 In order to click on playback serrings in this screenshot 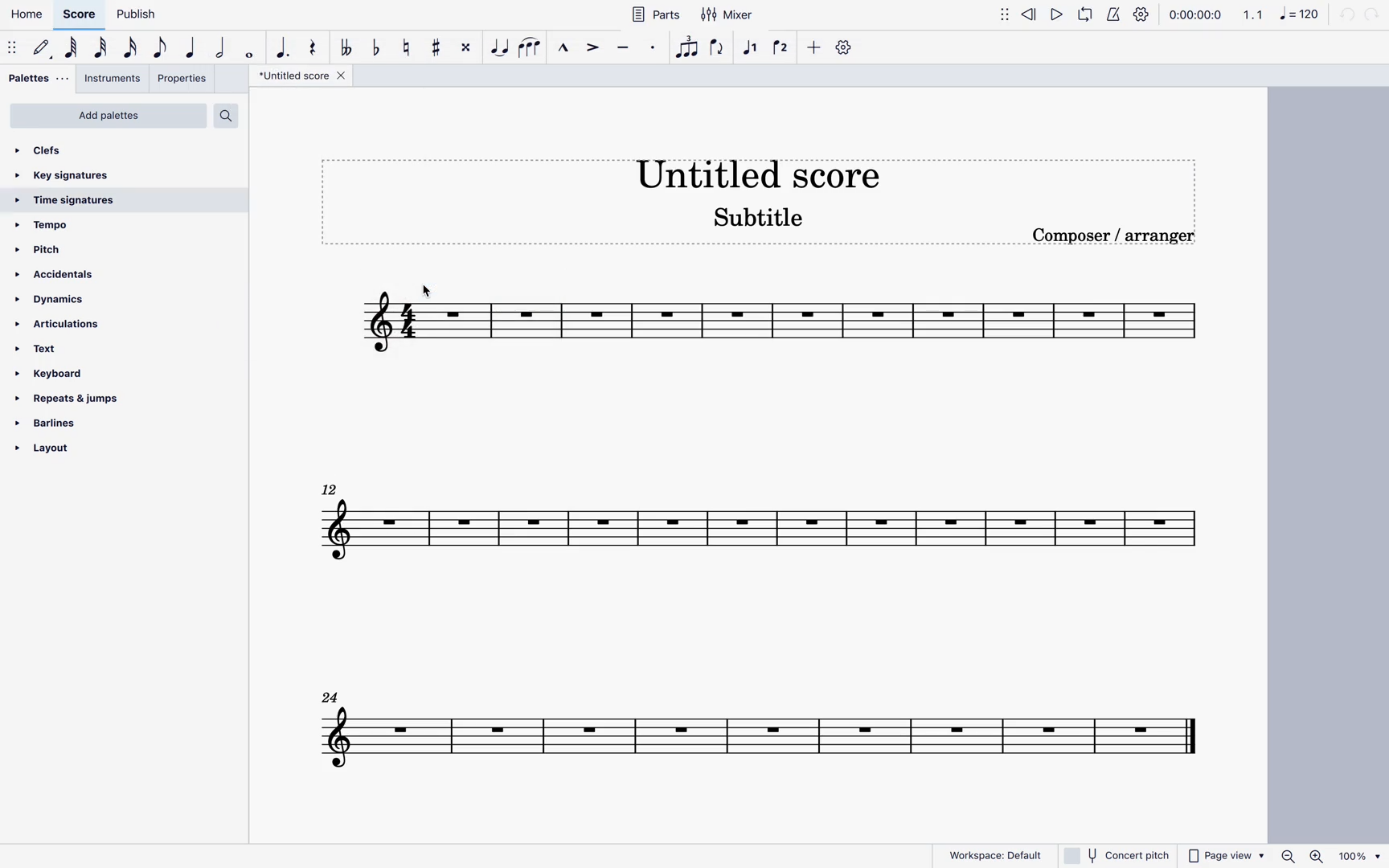, I will do `click(1144, 16)`.